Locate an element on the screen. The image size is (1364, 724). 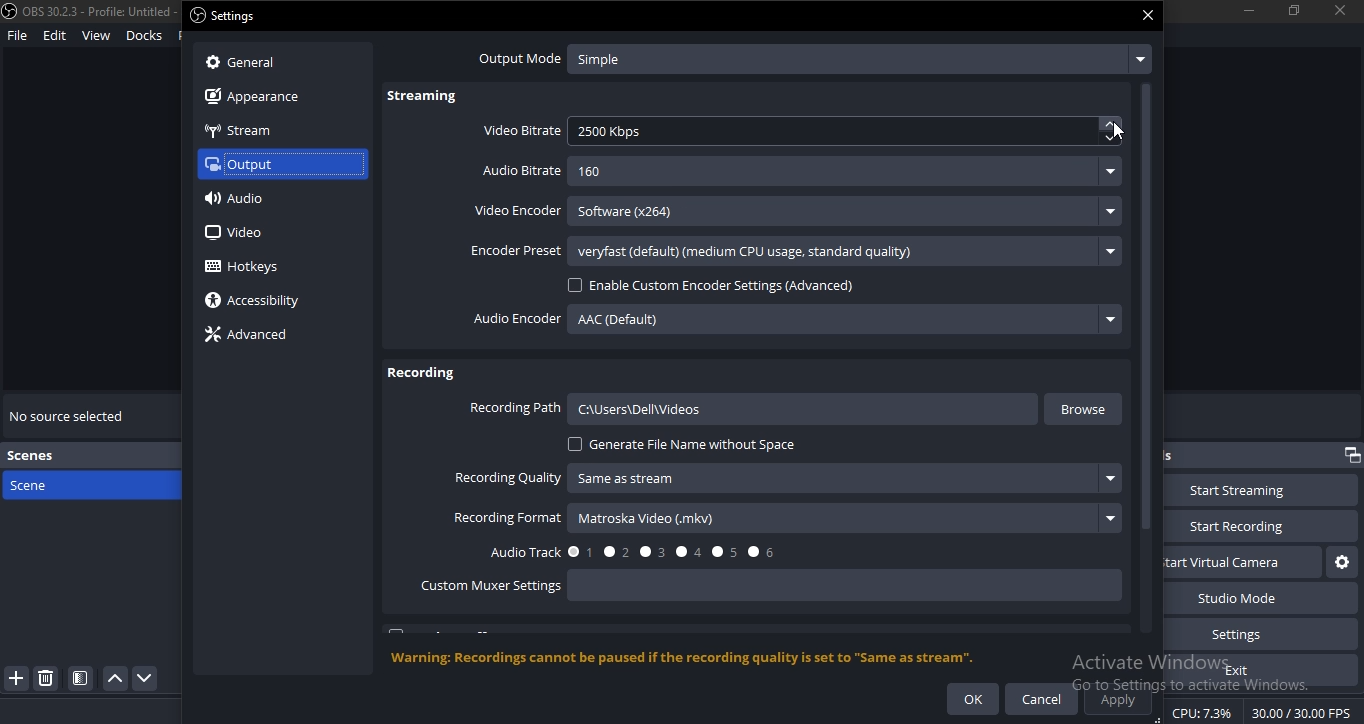
settings is located at coordinates (1252, 633).